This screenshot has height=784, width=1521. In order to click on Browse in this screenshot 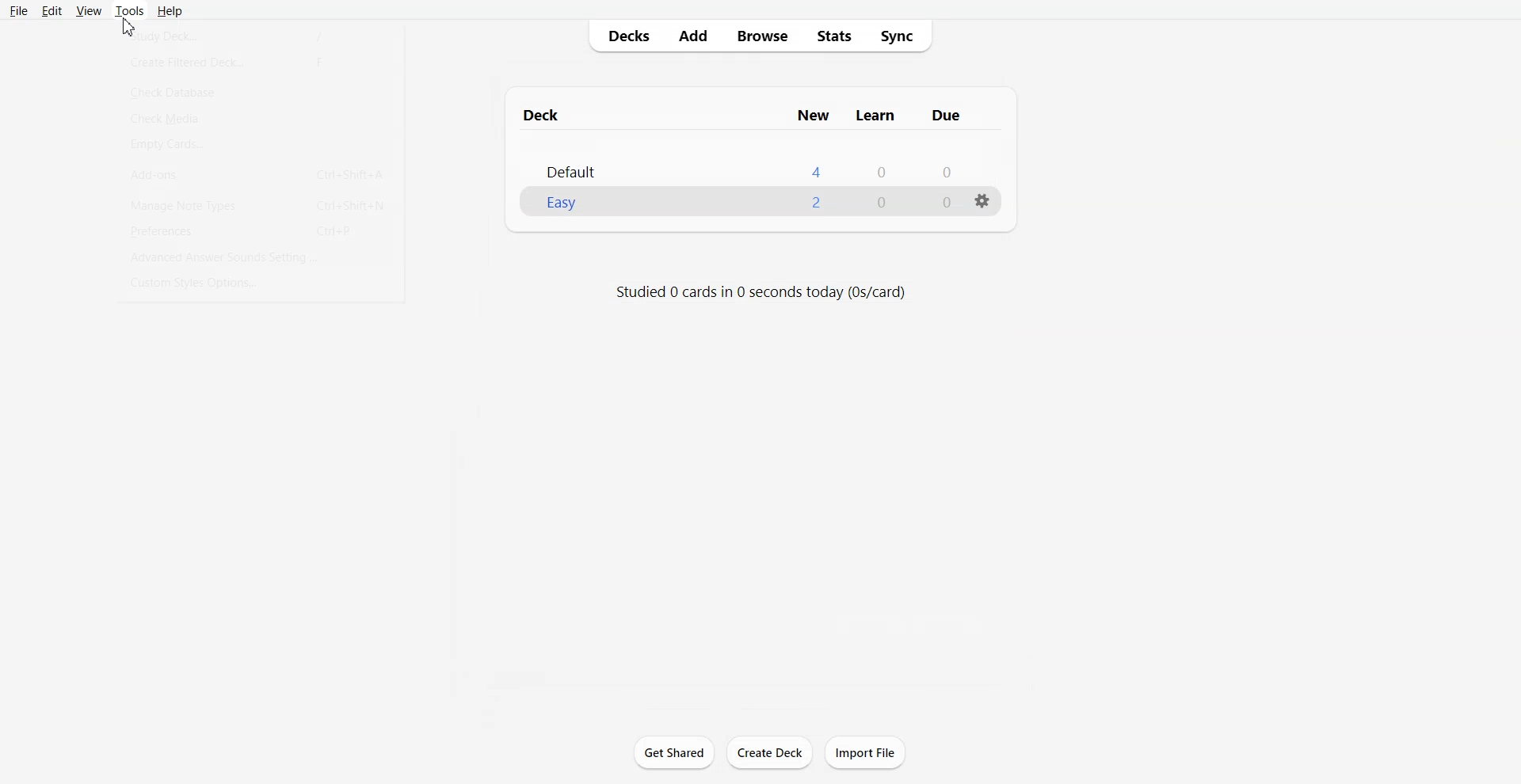, I will do `click(764, 36)`.